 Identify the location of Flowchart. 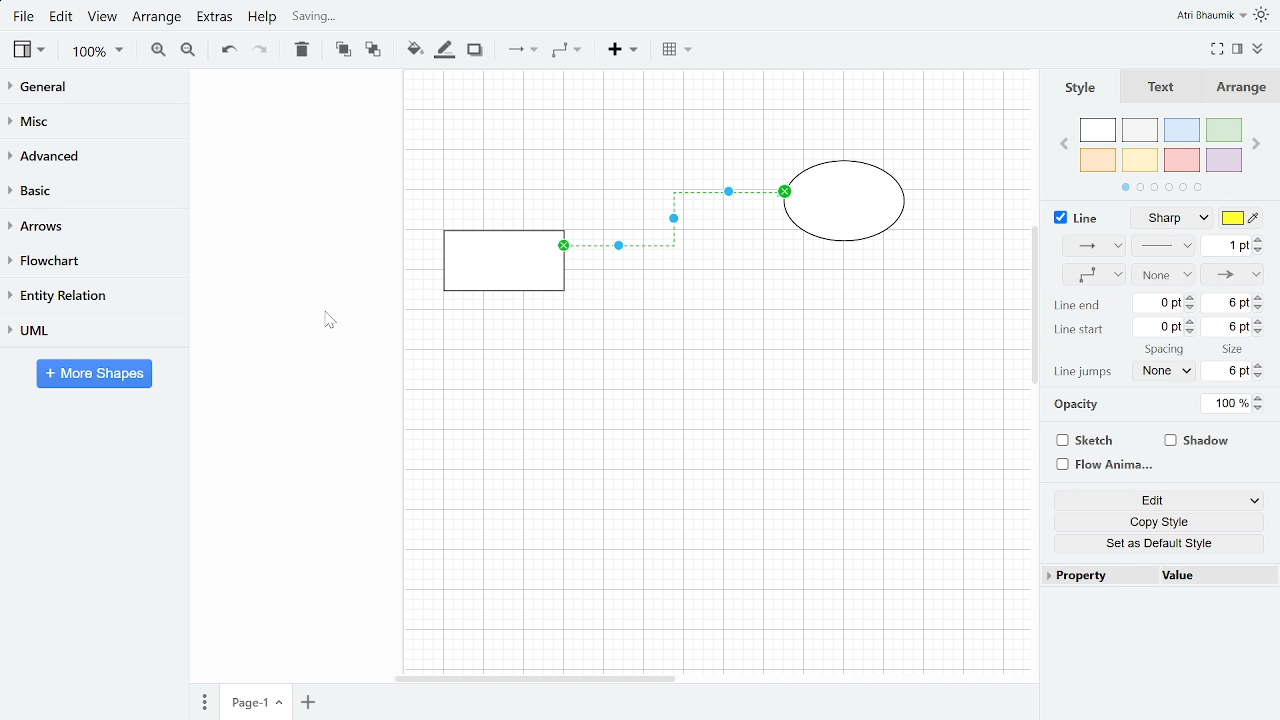
(89, 260).